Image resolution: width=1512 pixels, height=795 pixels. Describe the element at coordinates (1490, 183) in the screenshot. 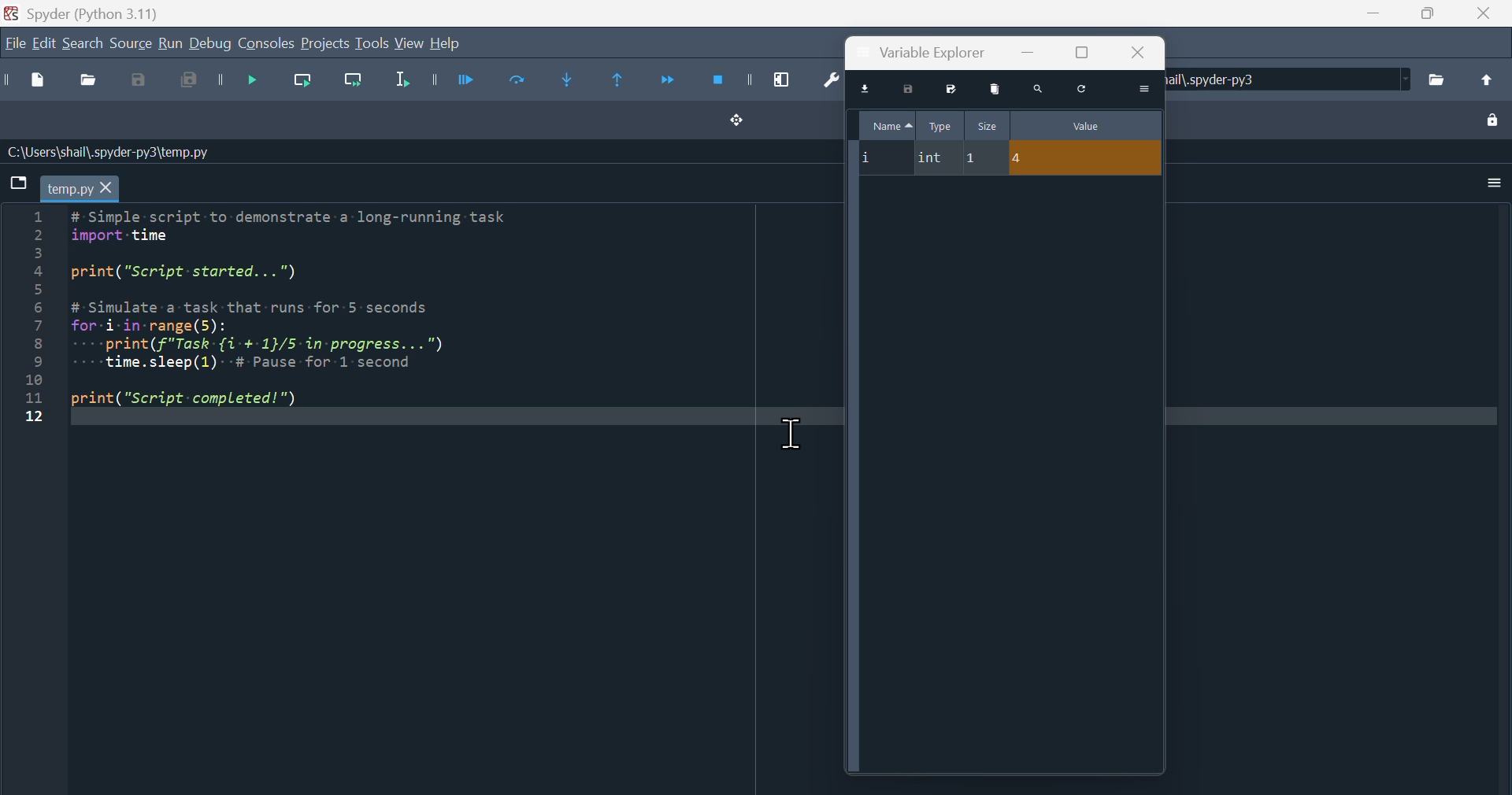

I see `More options` at that location.